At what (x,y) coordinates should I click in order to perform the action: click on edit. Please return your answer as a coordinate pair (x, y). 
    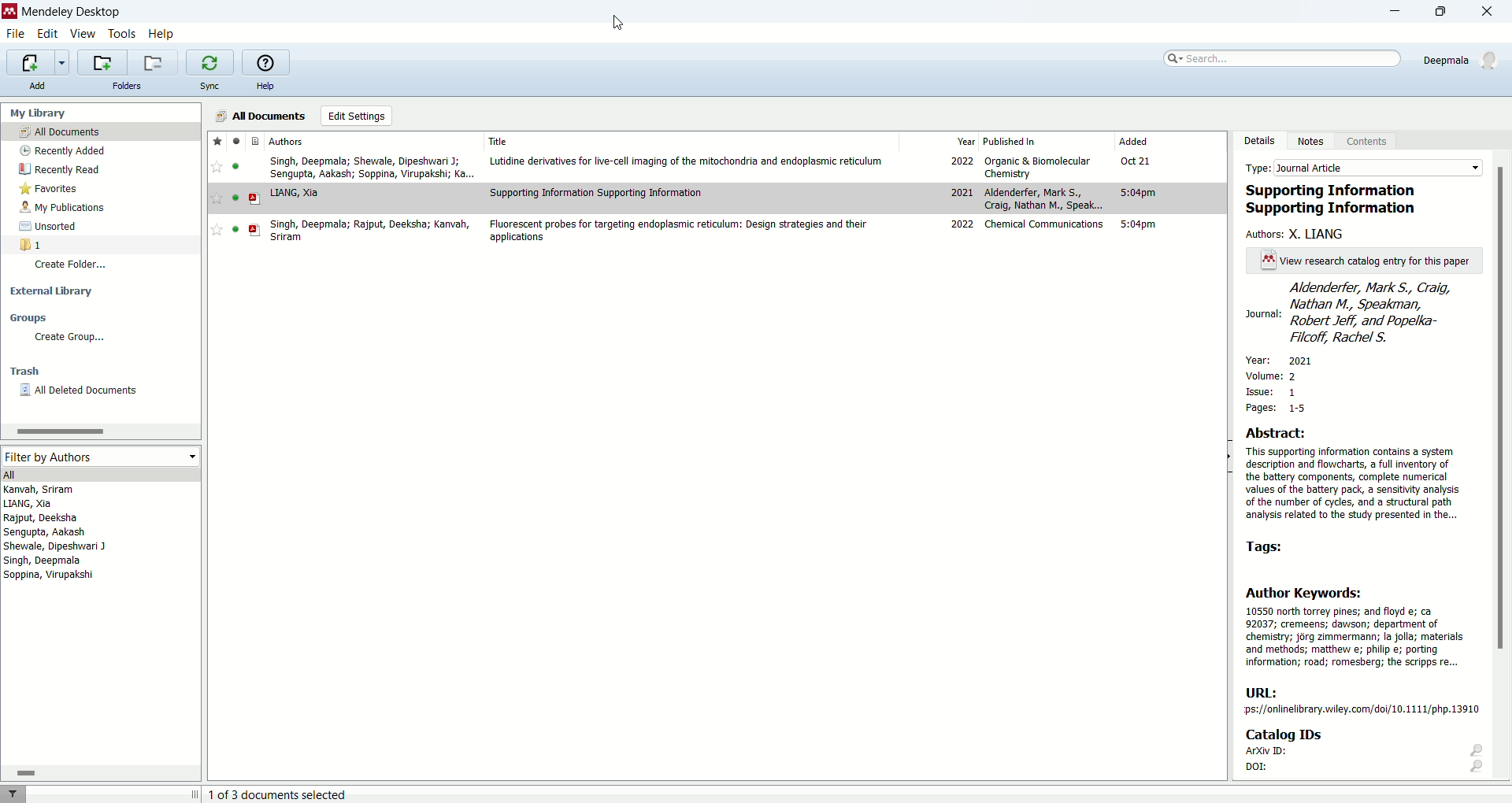
    Looking at the image, I should click on (46, 32).